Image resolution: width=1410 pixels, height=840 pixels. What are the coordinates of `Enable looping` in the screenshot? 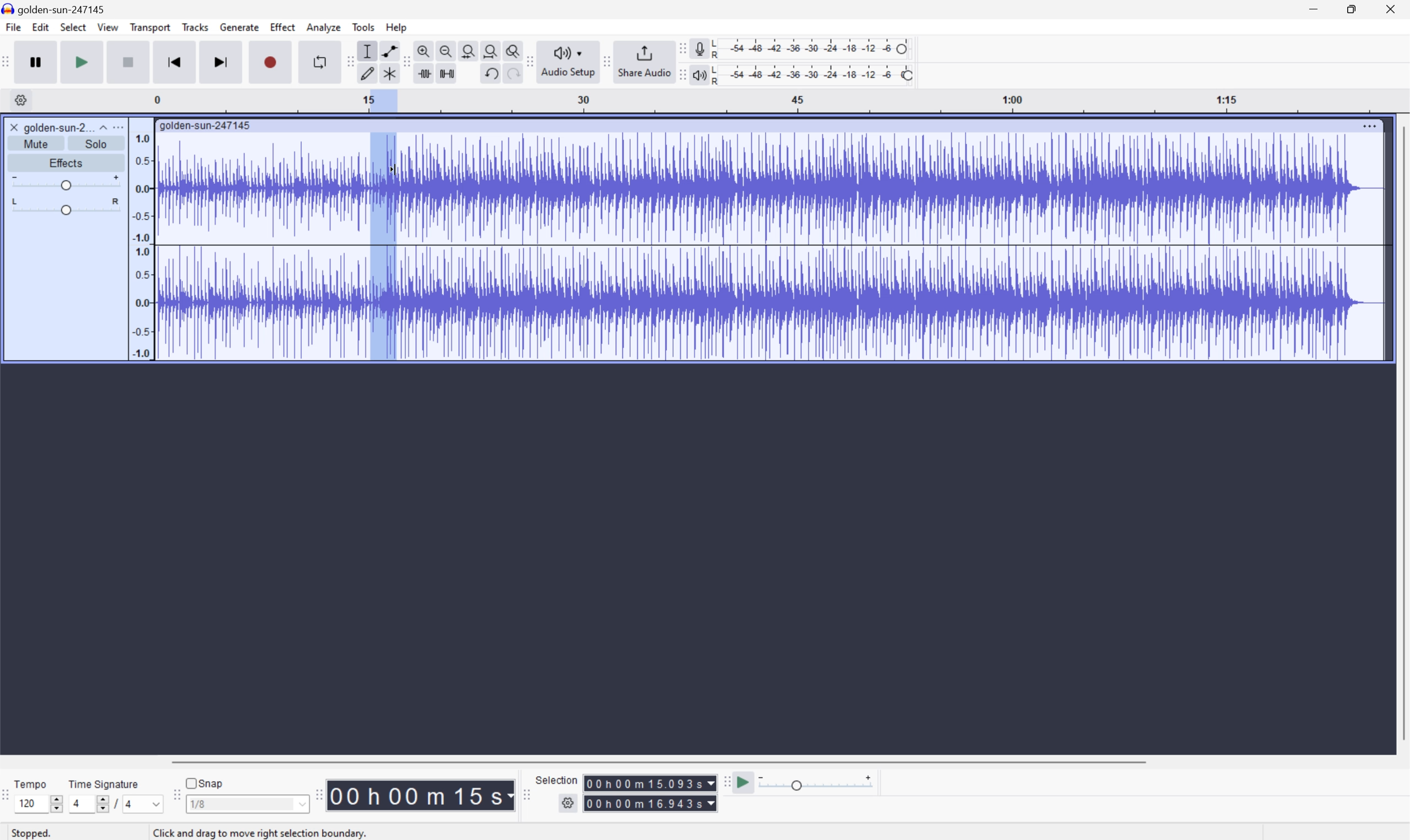 It's located at (317, 61).